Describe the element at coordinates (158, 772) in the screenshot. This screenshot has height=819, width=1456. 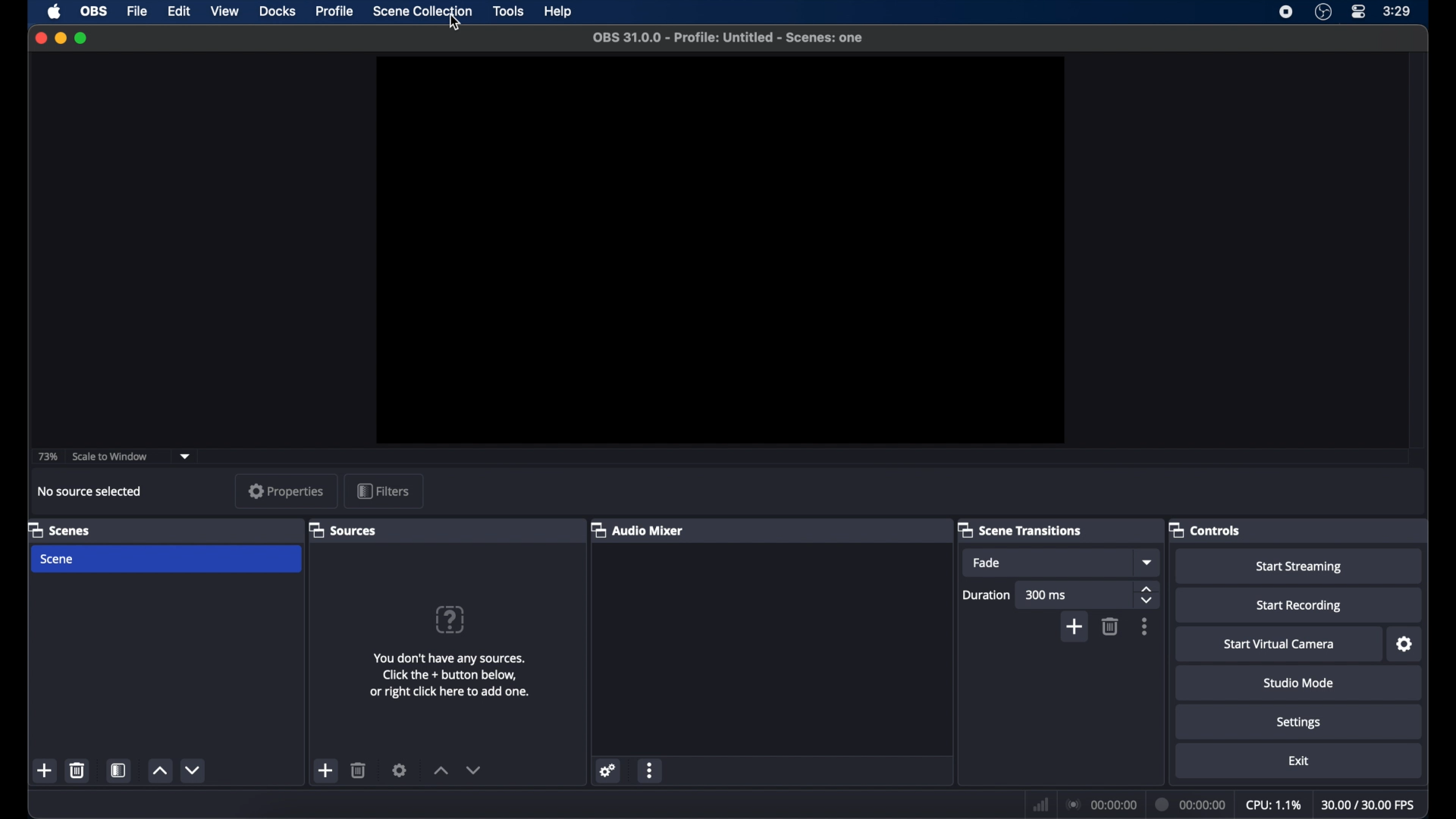
I see `increment` at that location.